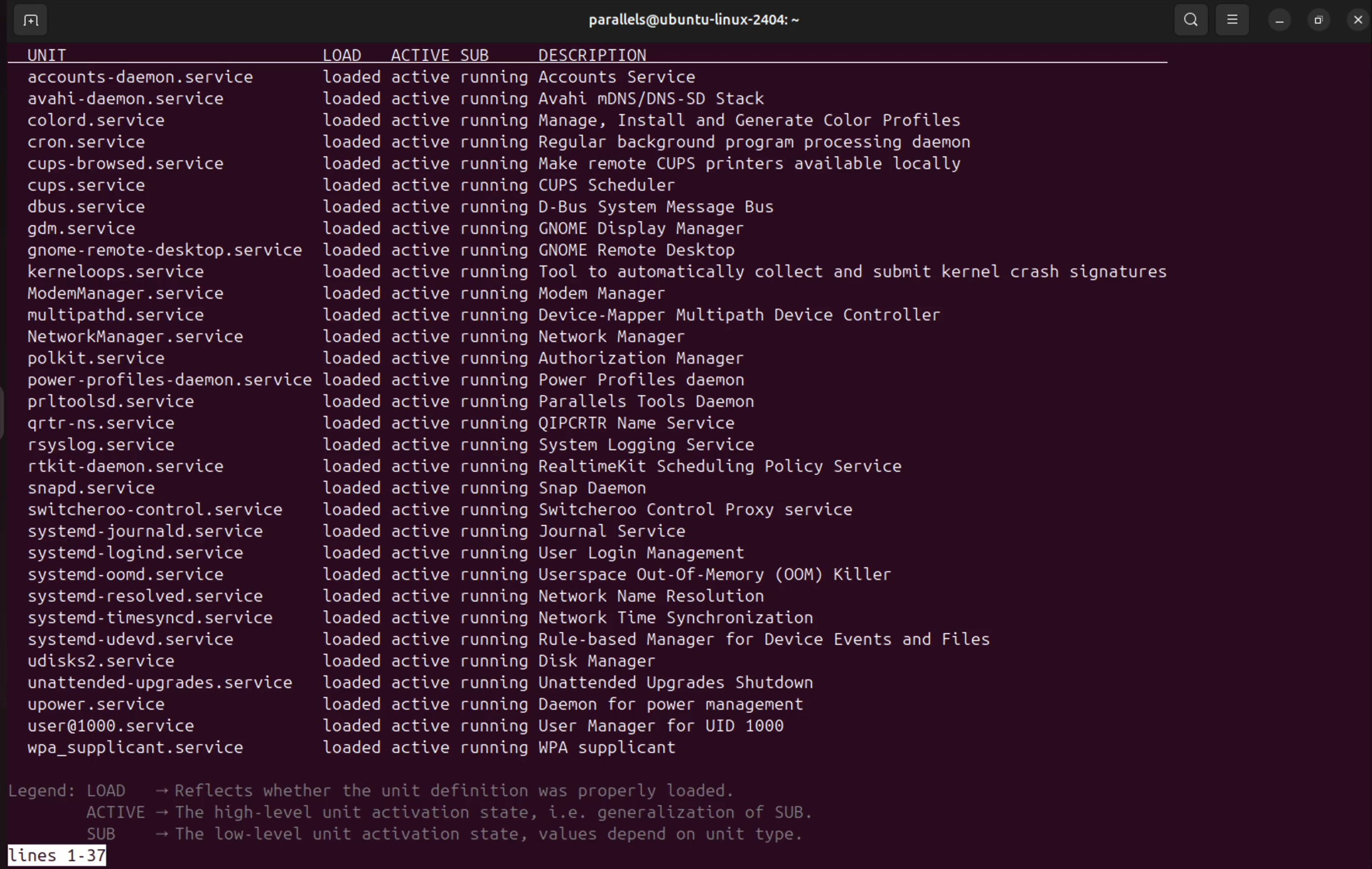 This screenshot has height=869, width=1372. Describe the element at coordinates (113, 426) in the screenshot. I see `qrtr-ns service` at that location.